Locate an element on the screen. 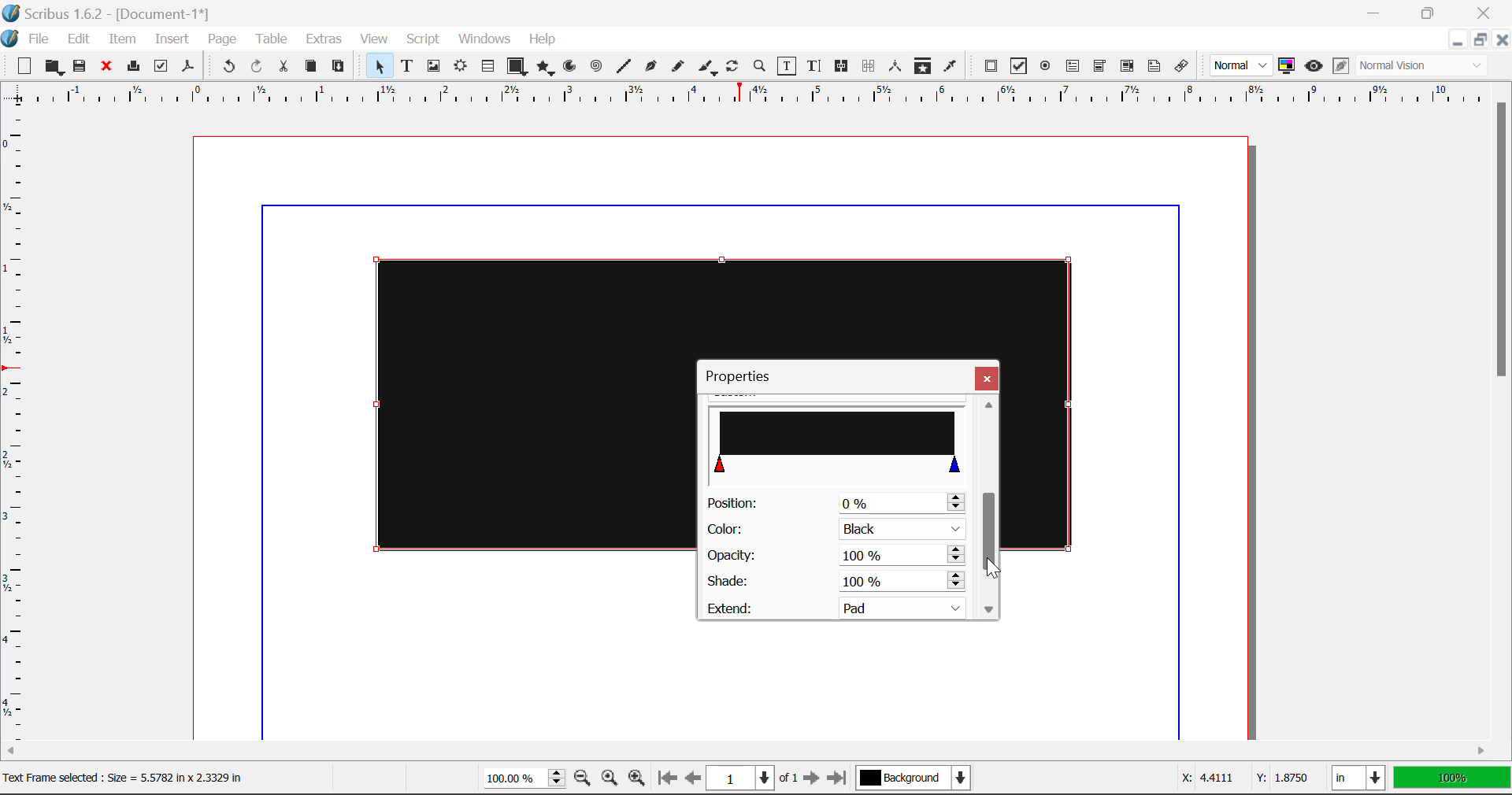 This screenshot has width=1512, height=795. Page 1 of 1 is located at coordinates (752, 780).